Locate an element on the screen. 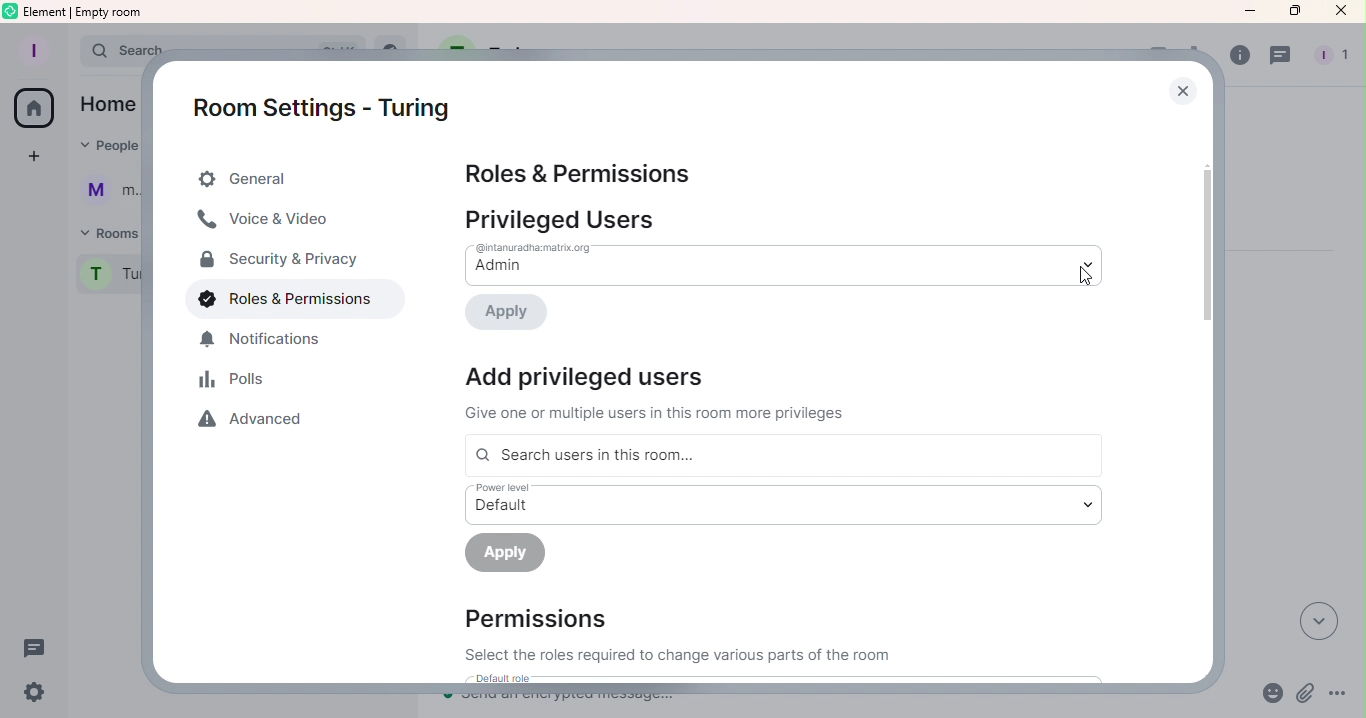  Quick settings is located at coordinates (34, 694).